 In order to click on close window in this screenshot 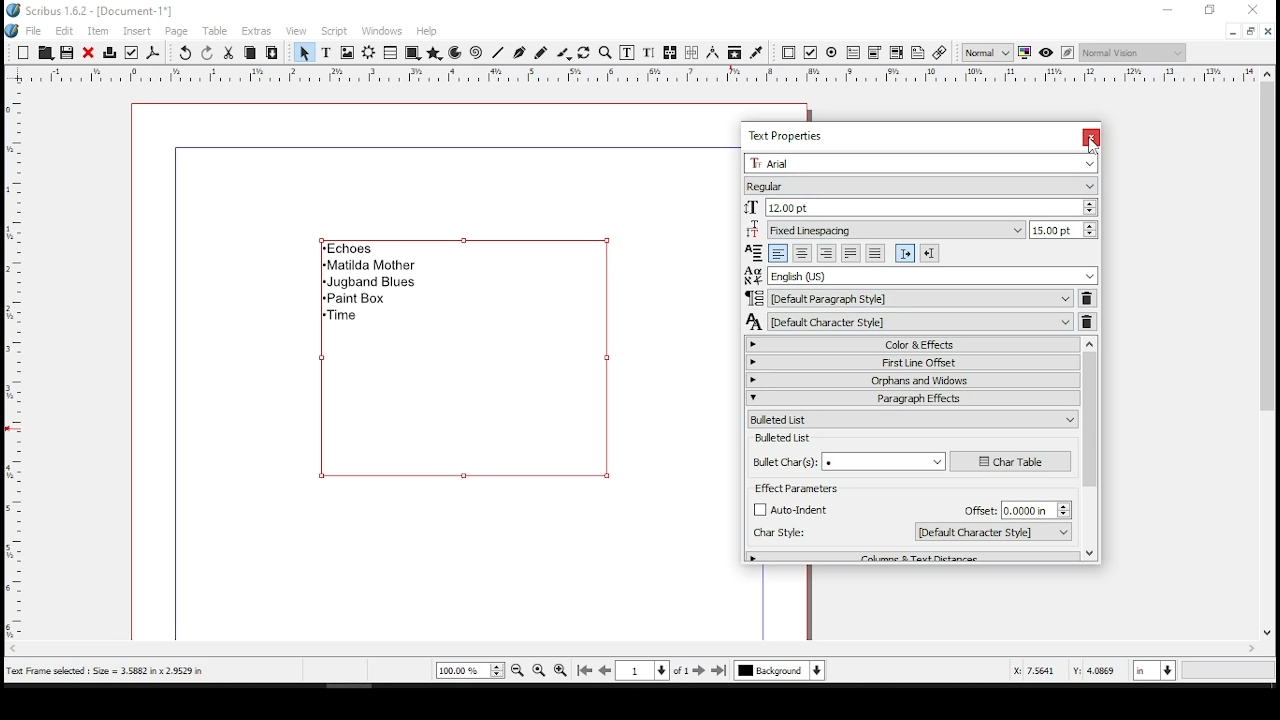, I will do `click(1098, 135)`.